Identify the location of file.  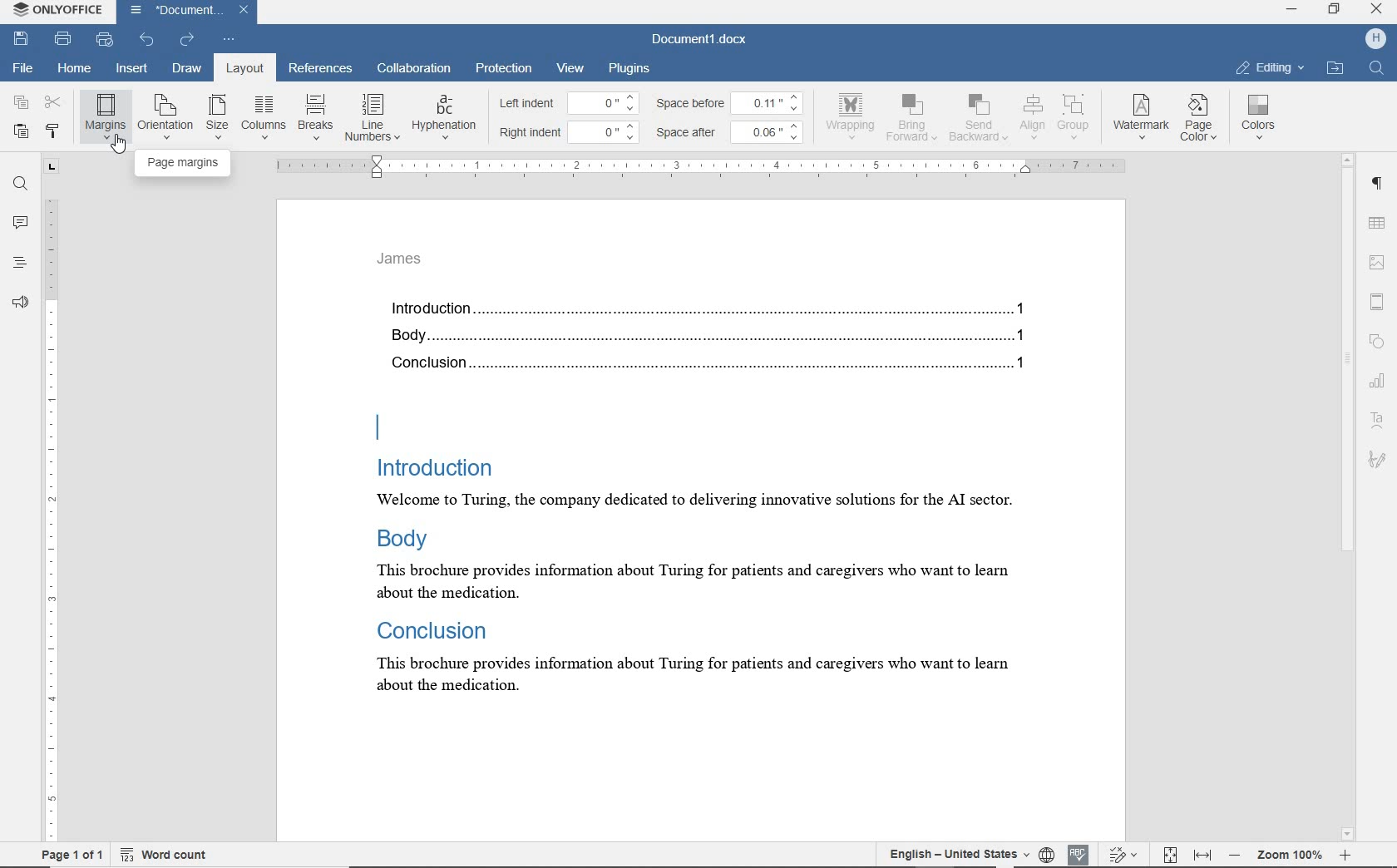
(24, 66).